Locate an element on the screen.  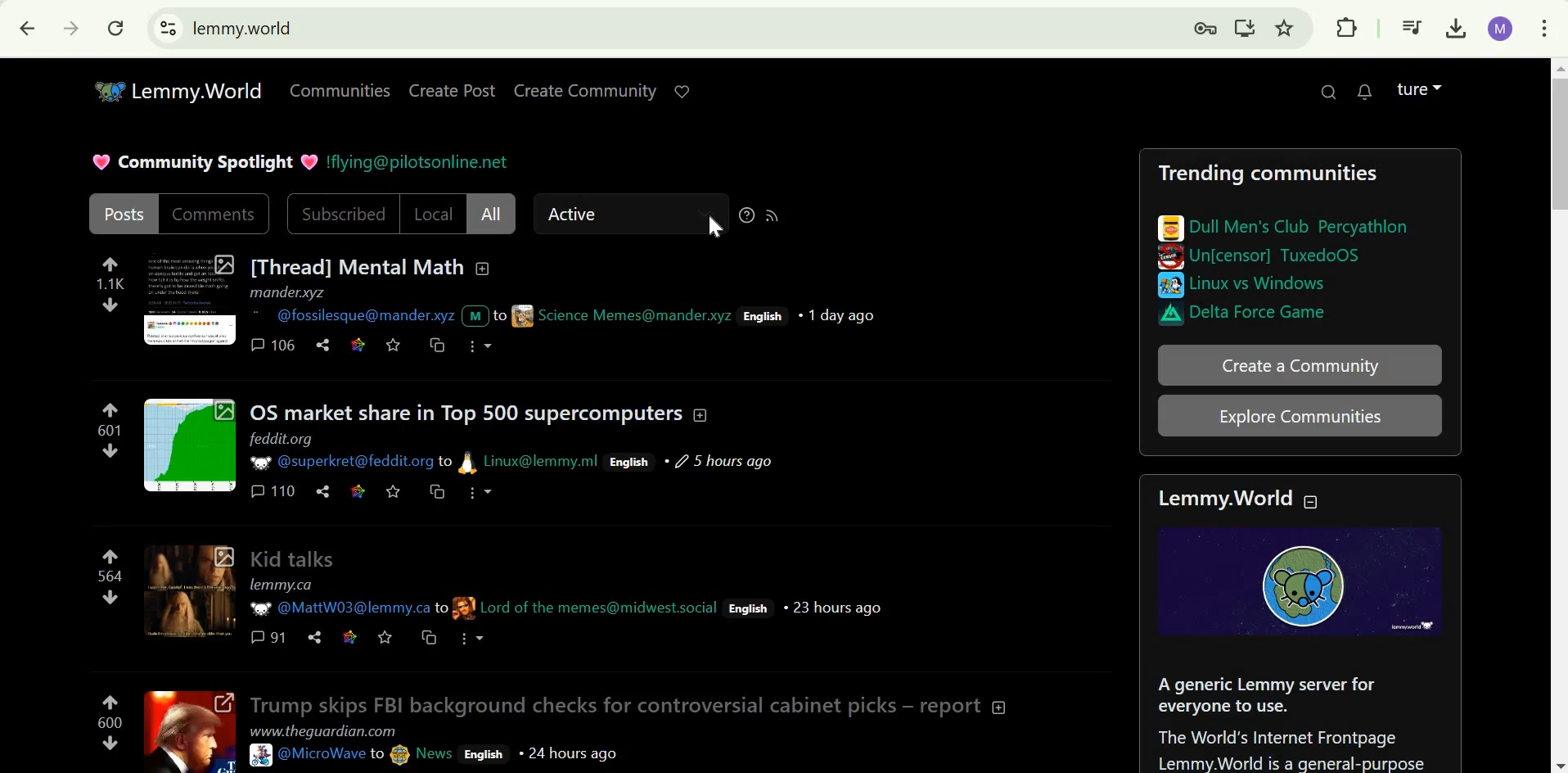
save is located at coordinates (394, 345).